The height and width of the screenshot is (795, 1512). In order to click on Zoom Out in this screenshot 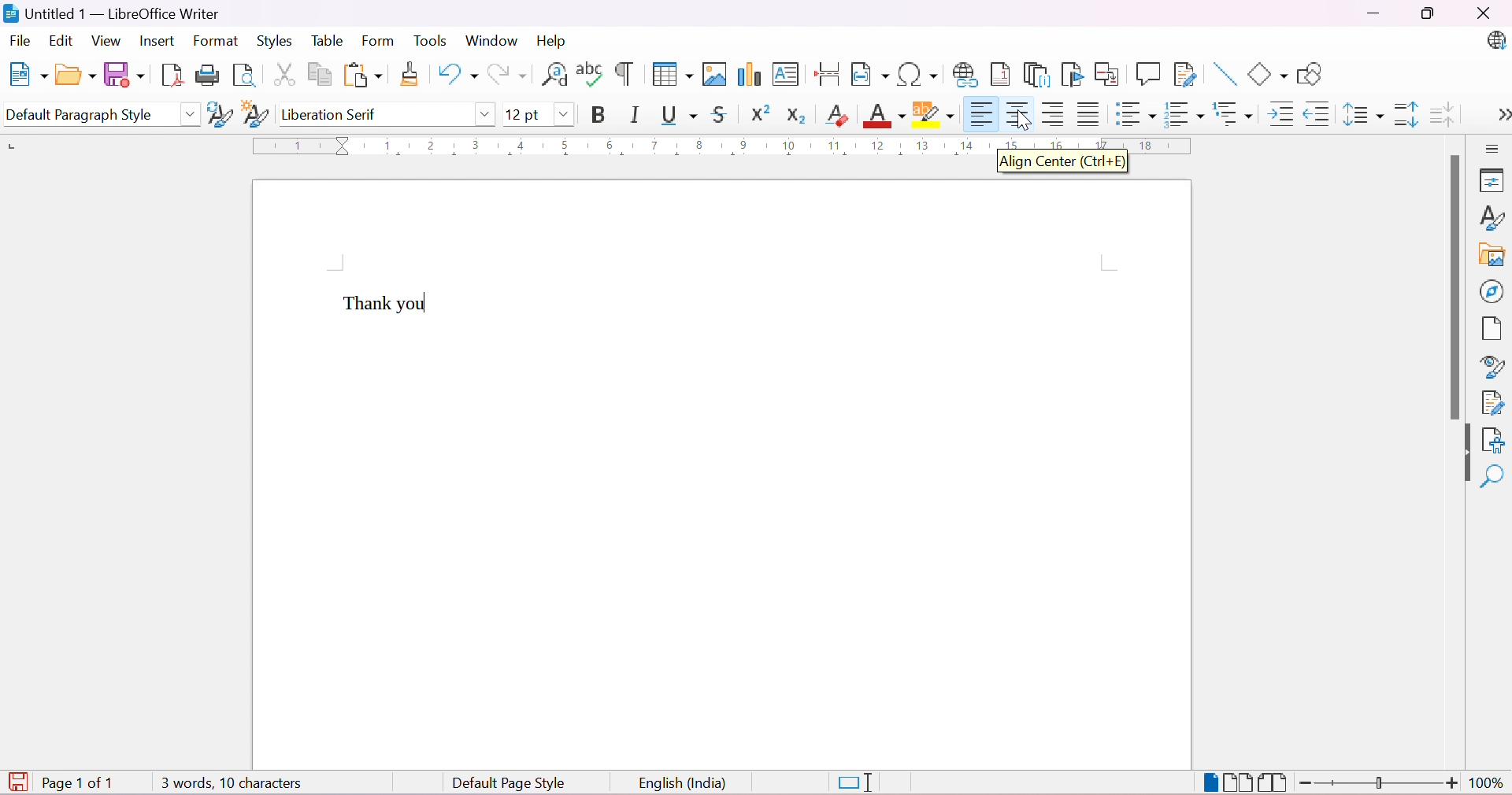, I will do `click(1306, 783)`.